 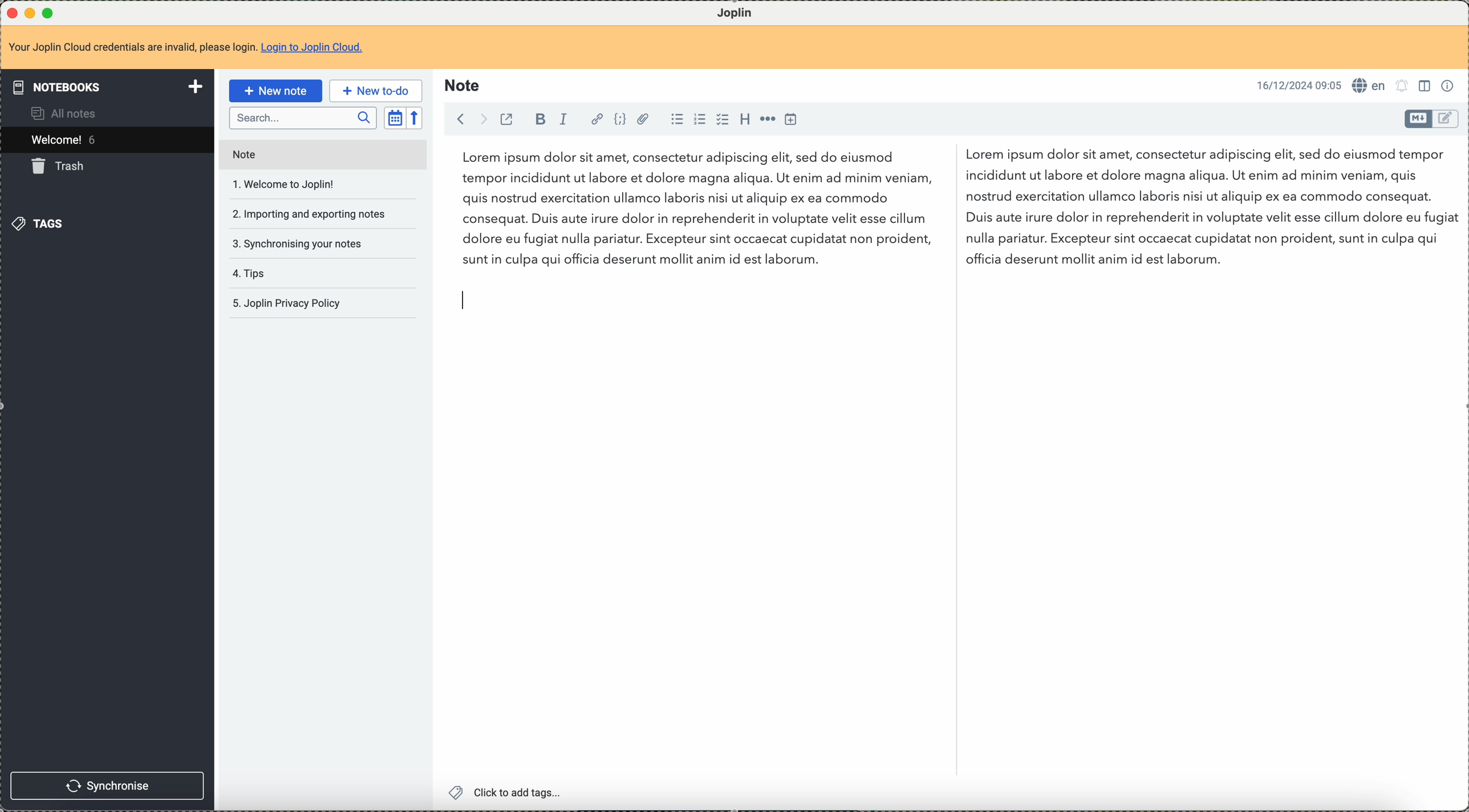 What do you see at coordinates (540, 119) in the screenshot?
I see `bold` at bounding box center [540, 119].